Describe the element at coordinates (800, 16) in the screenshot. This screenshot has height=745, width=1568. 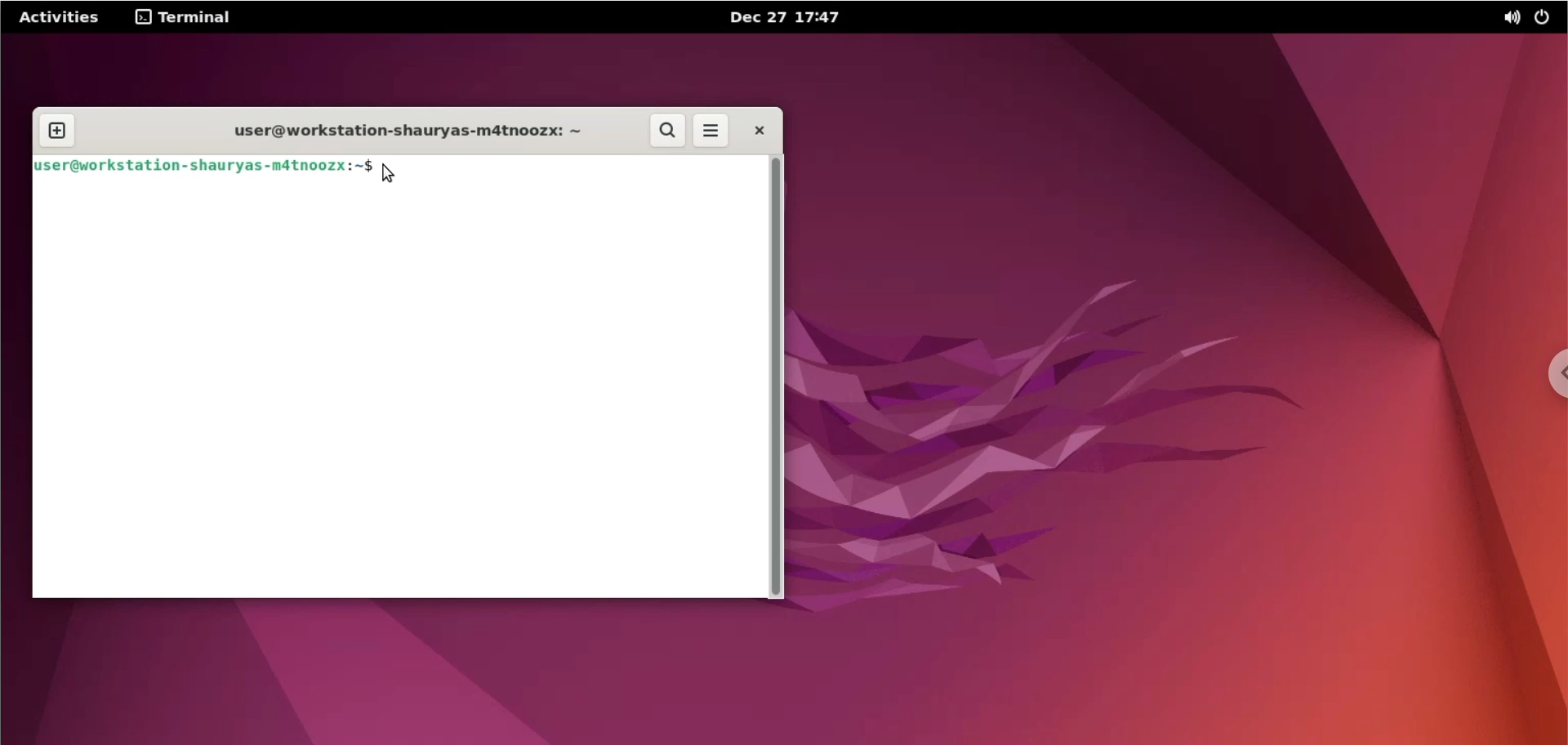
I see `Dec 27 17:47` at that location.